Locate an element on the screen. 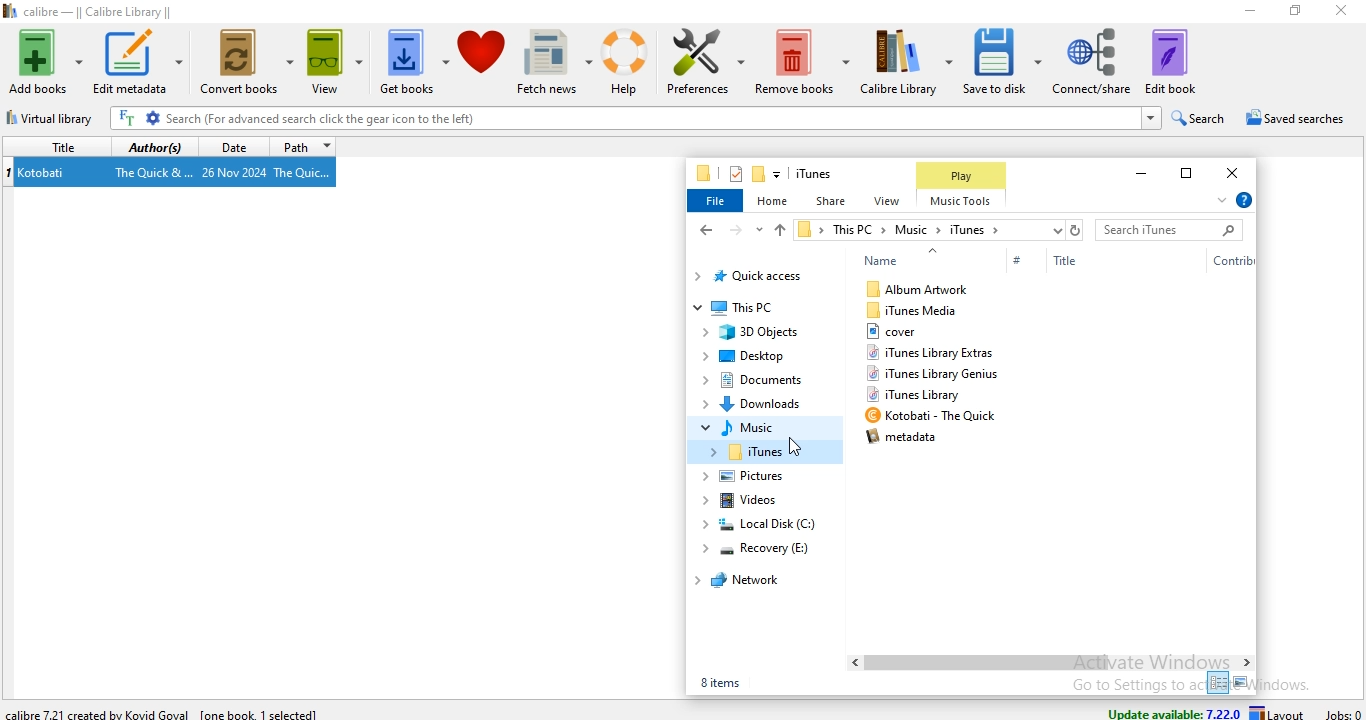 This screenshot has height=720, width=1366. convert books is located at coordinates (245, 65).